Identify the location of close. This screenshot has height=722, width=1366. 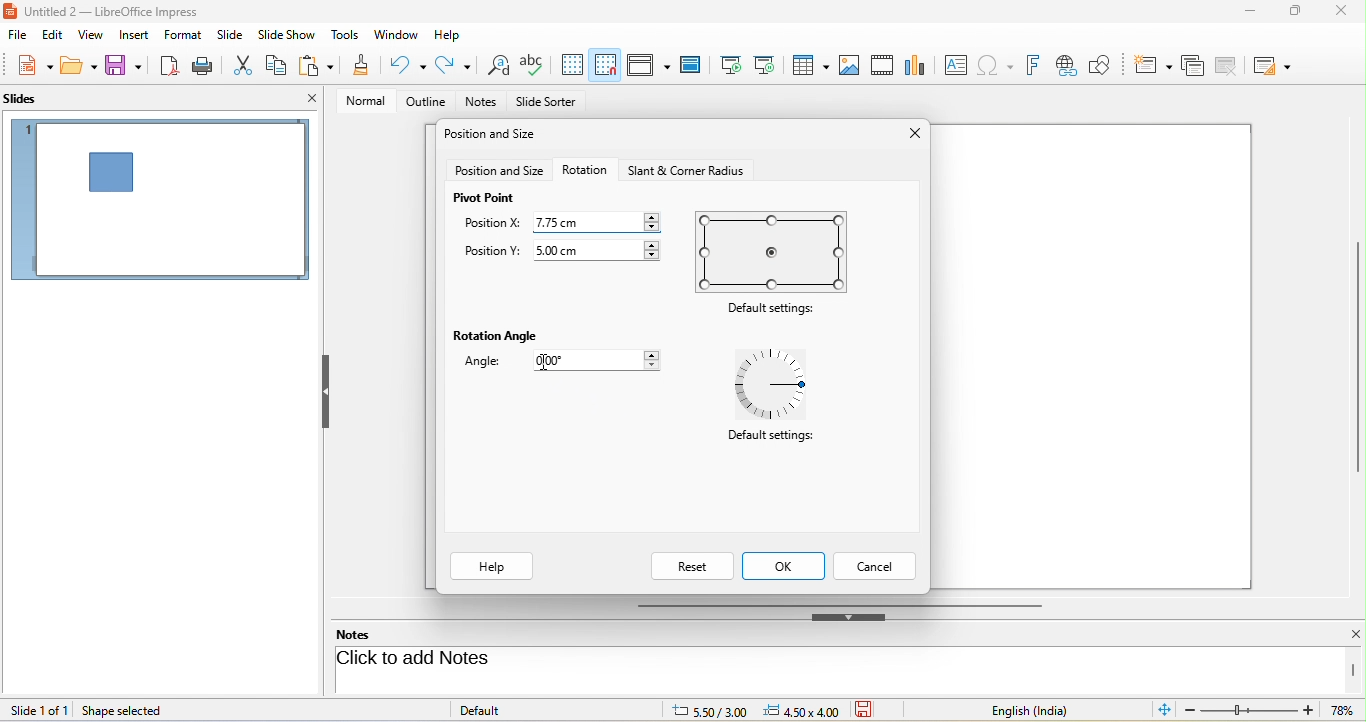
(312, 98).